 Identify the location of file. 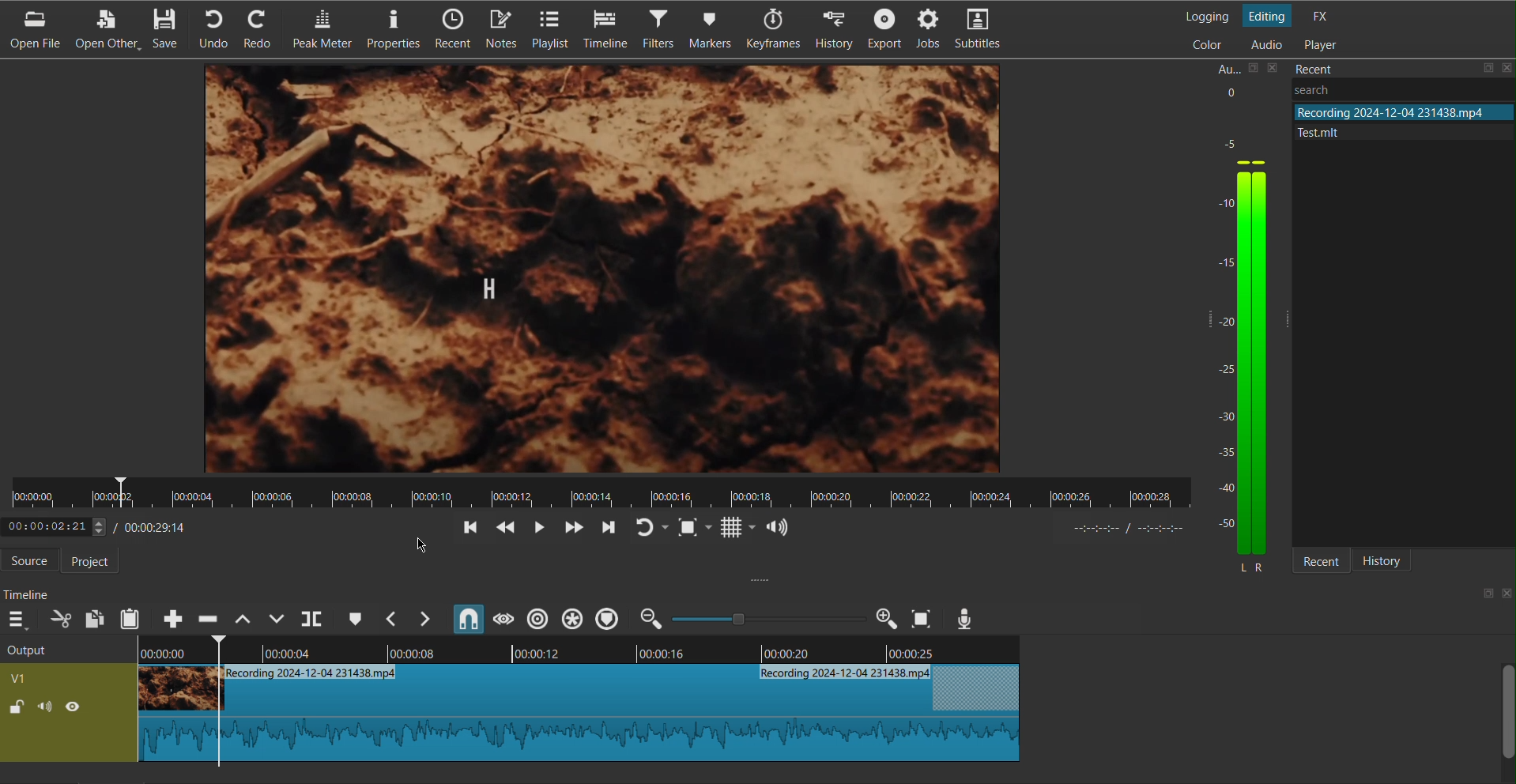
(1390, 130).